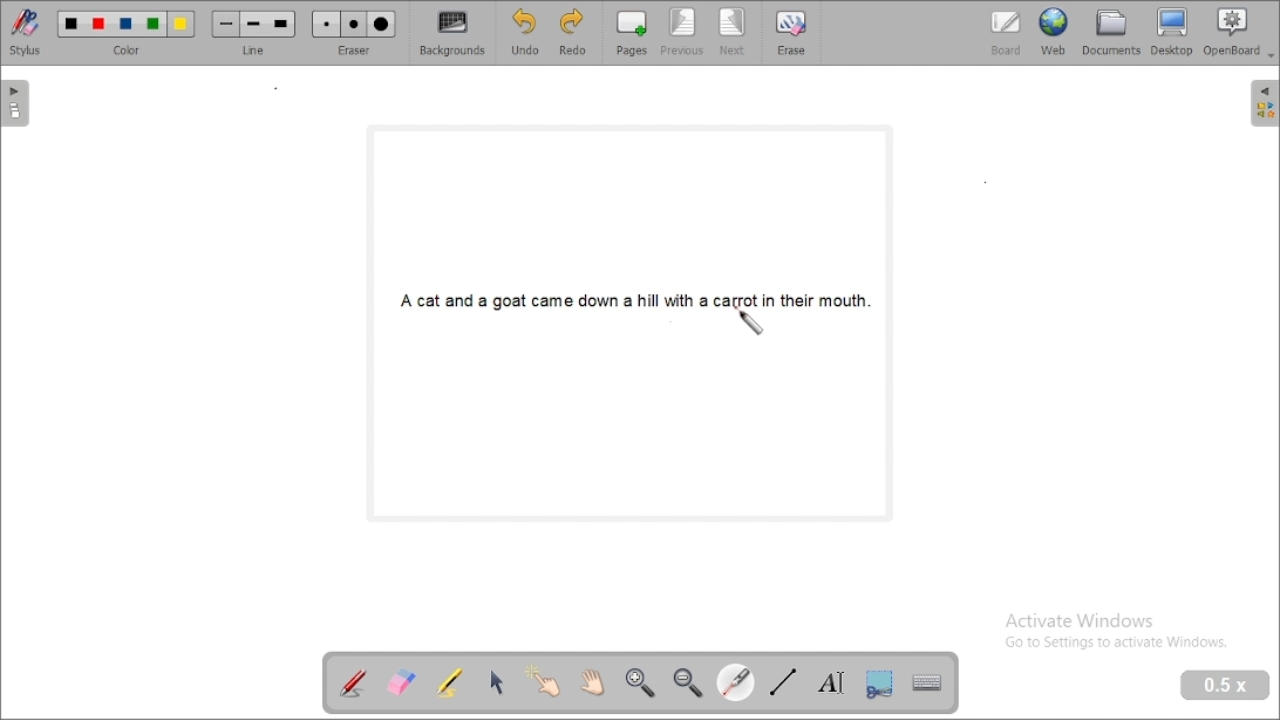  Describe the element at coordinates (450, 681) in the screenshot. I see `highlight` at that location.